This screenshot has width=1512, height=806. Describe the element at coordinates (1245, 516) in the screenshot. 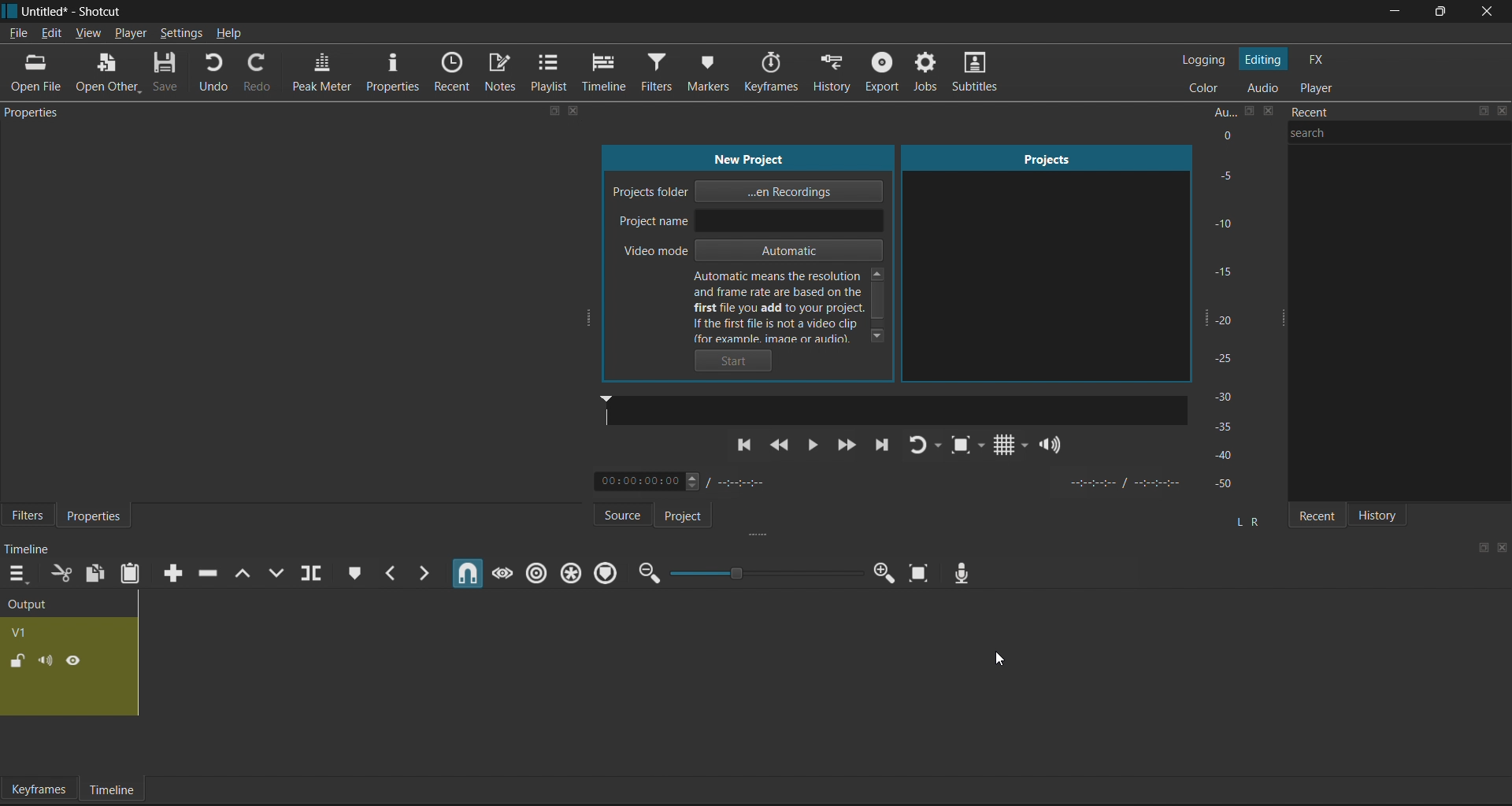

I see `l r` at that location.